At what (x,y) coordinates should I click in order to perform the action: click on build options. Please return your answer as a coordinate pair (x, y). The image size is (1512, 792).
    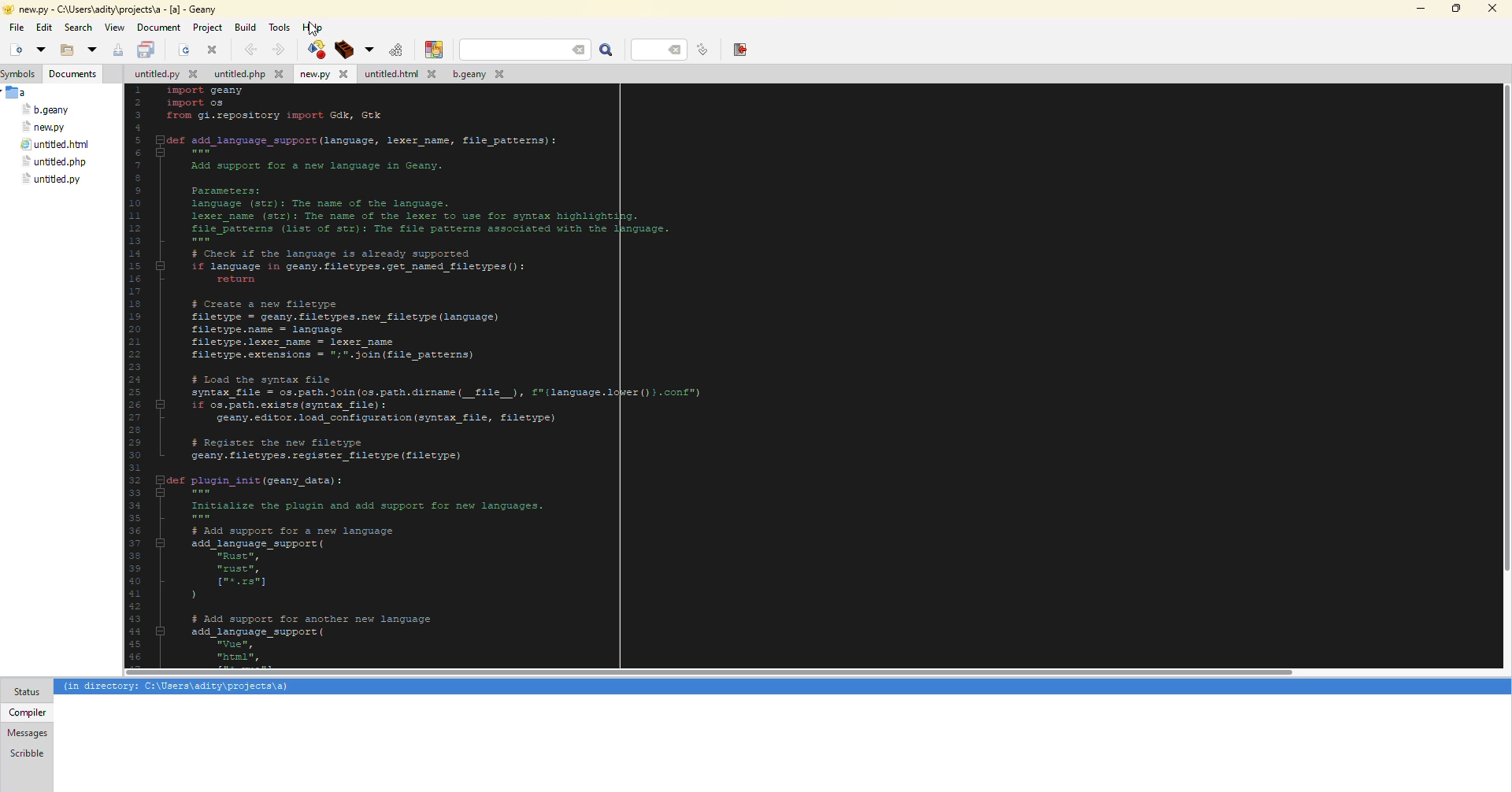
    Looking at the image, I should click on (367, 50).